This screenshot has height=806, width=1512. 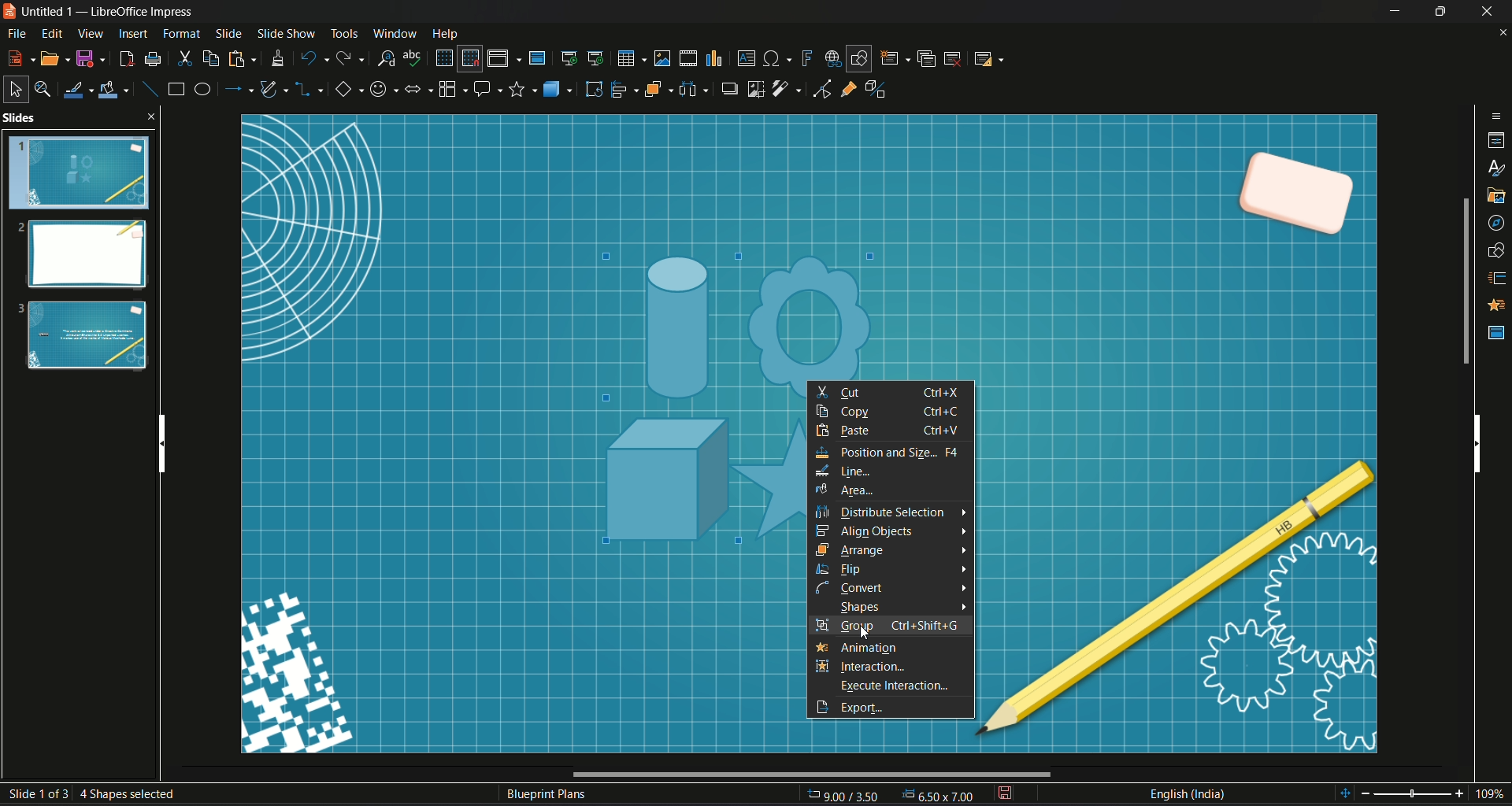 What do you see at coordinates (446, 34) in the screenshot?
I see `Help` at bounding box center [446, 34].